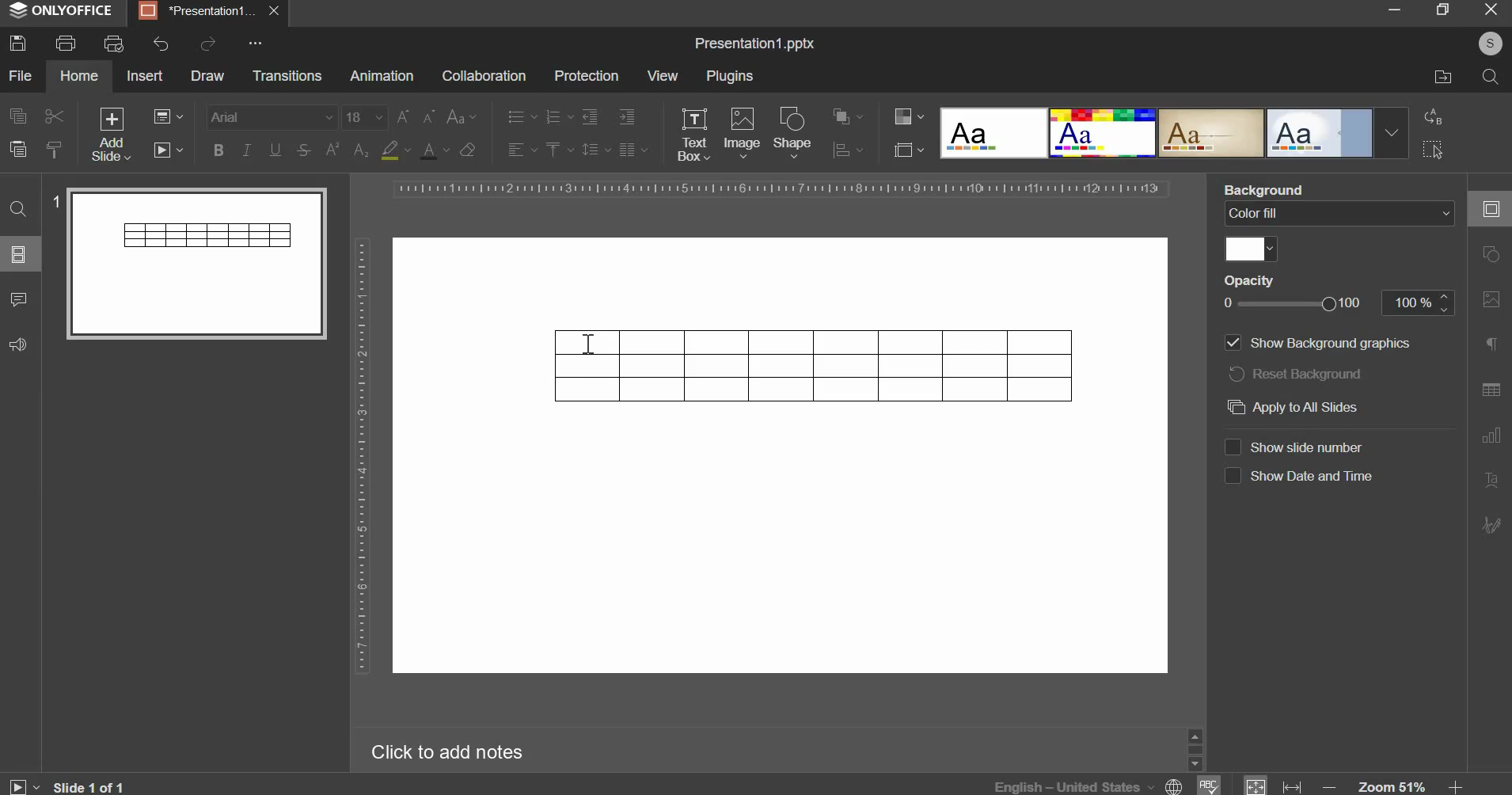 This screenshot has width=1512, height=795. I want to click on Show date and time, so click(1296, 477).